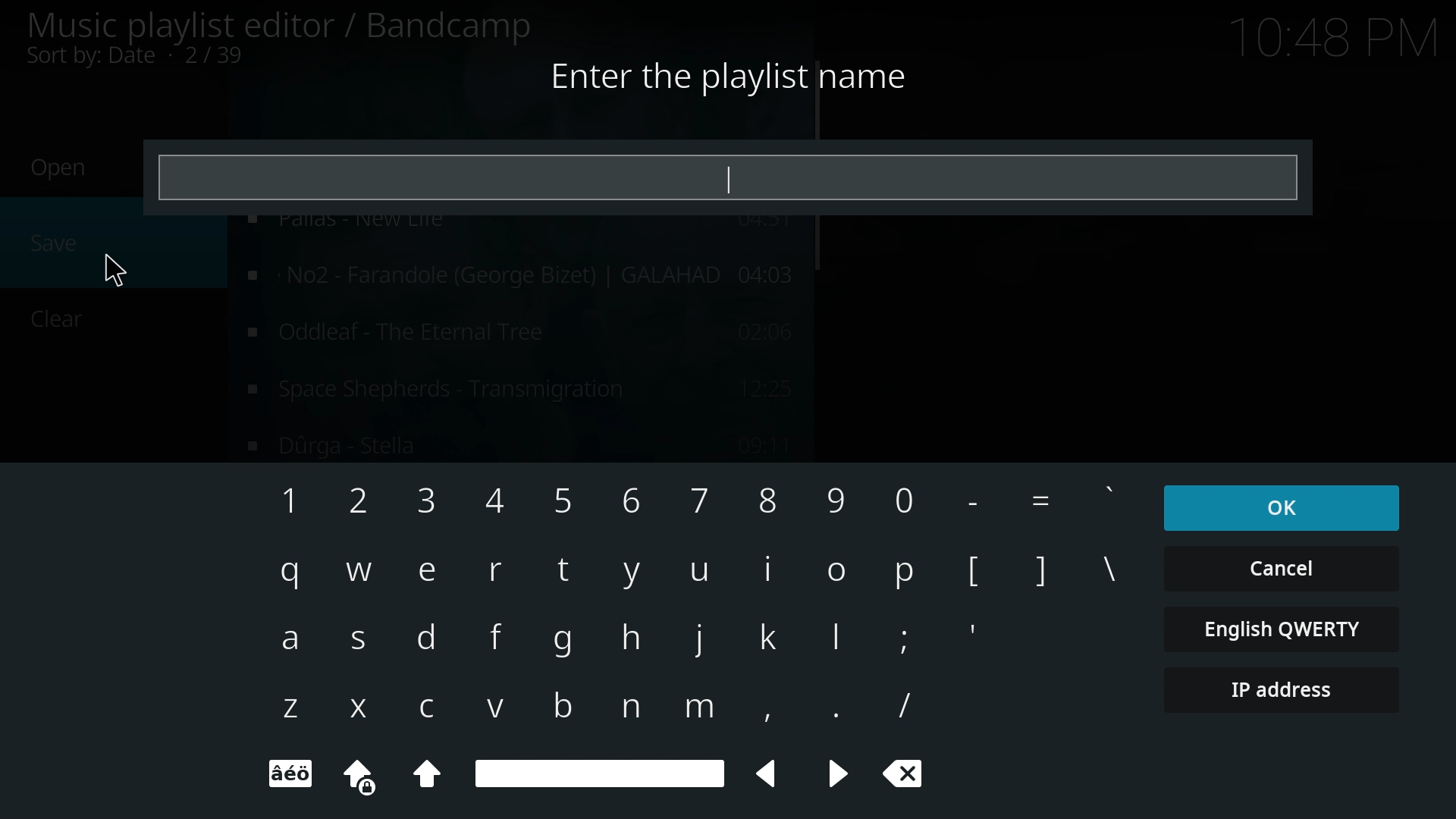  I want to click on Open, so click(70, 168).